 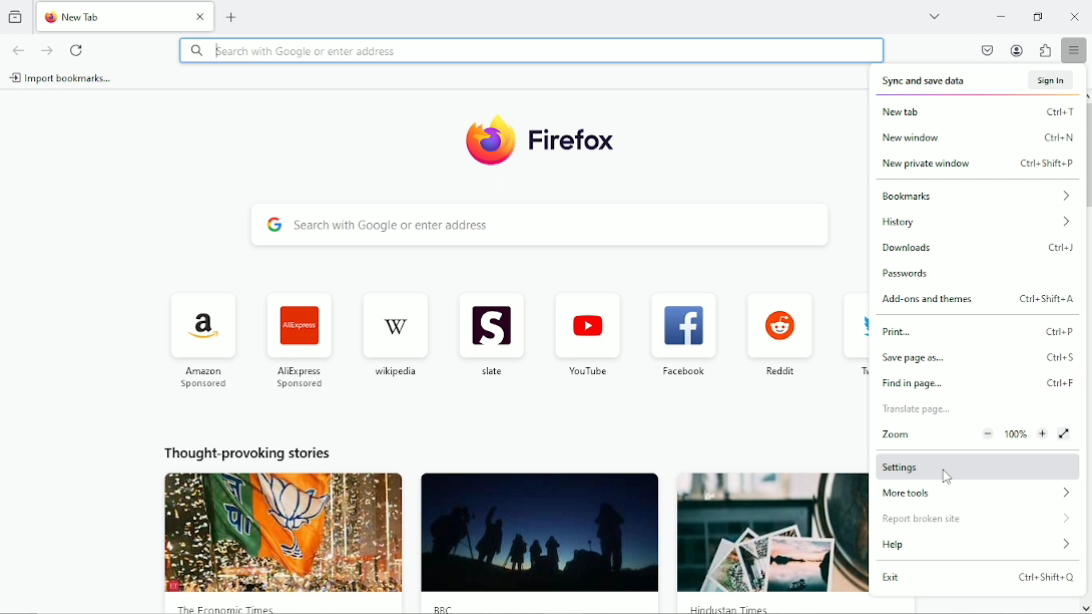 What do you see at coordinates (61, 78) in the screenshot?
I see `import bookmarks` at bounding box center [61, 78].